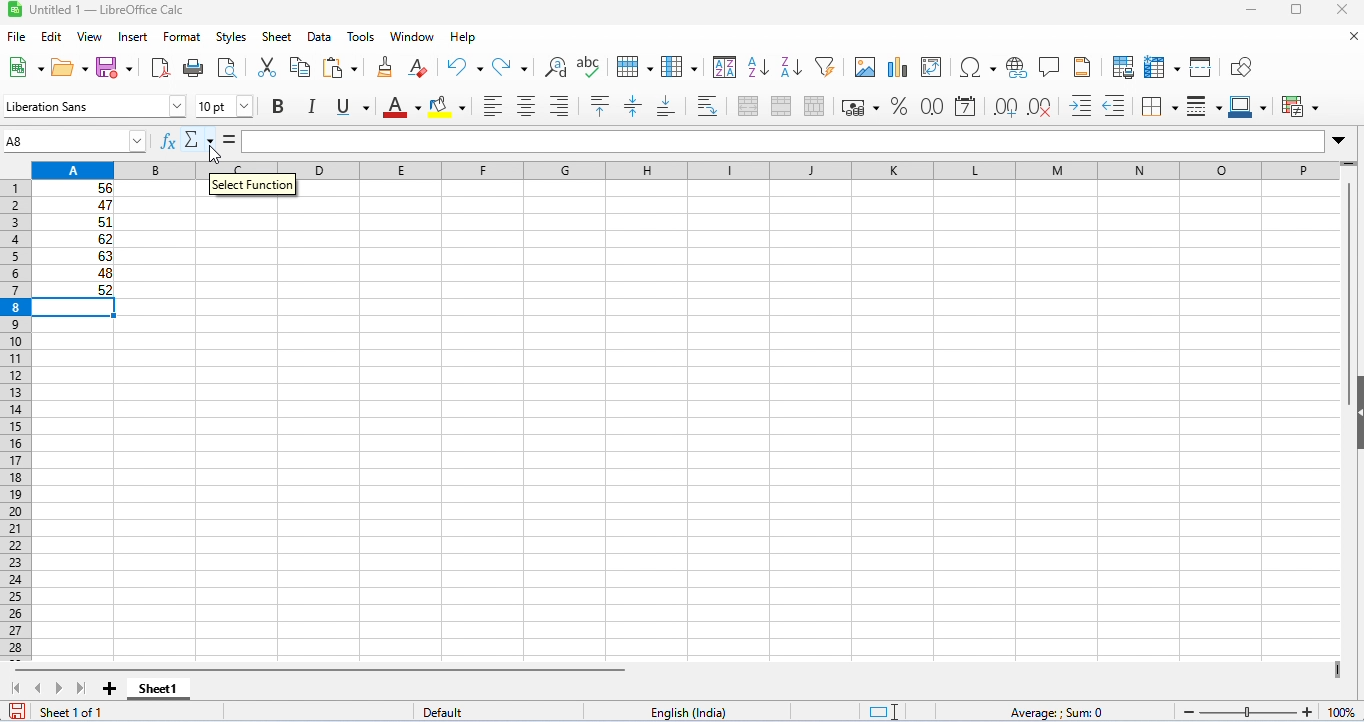 The height and width of the screenshot is (722, 1364). I want to click on lign bottom, so click(666, 107).